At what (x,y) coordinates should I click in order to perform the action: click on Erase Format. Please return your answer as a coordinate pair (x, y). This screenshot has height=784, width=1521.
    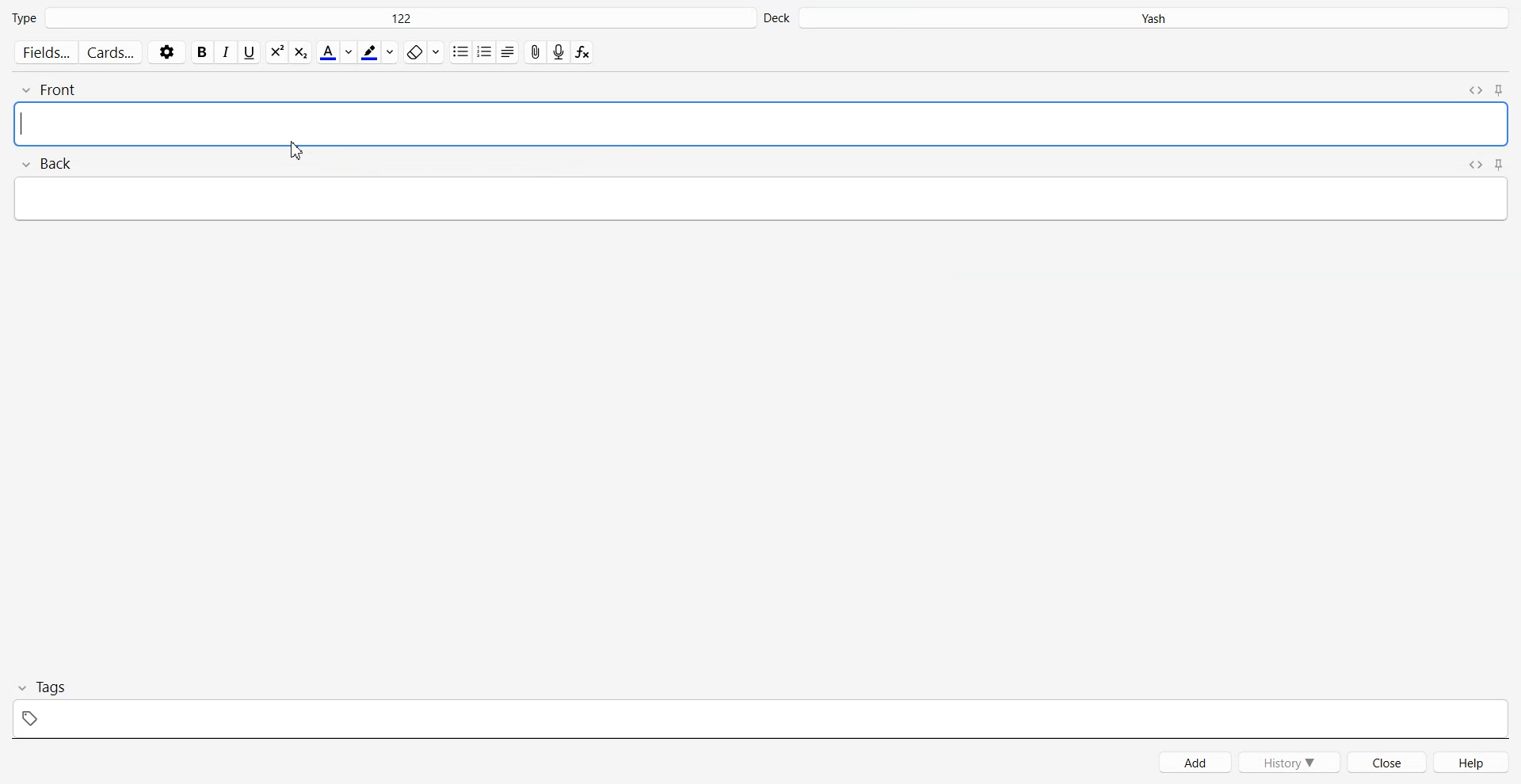
    Looking at the image, I should click on (421, 52).